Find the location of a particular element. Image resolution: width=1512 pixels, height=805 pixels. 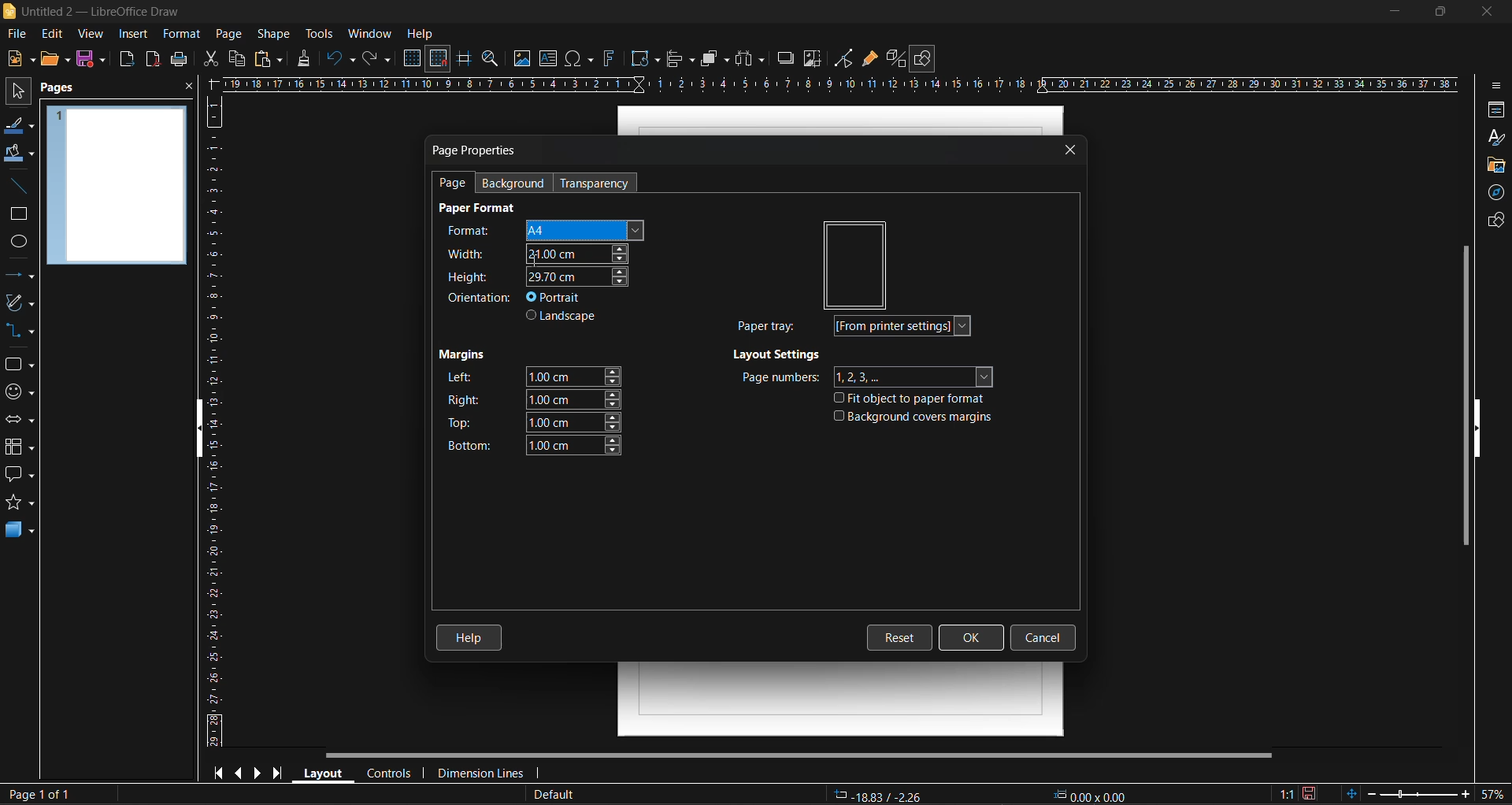

shapes is located at coordinates (1494, 222).